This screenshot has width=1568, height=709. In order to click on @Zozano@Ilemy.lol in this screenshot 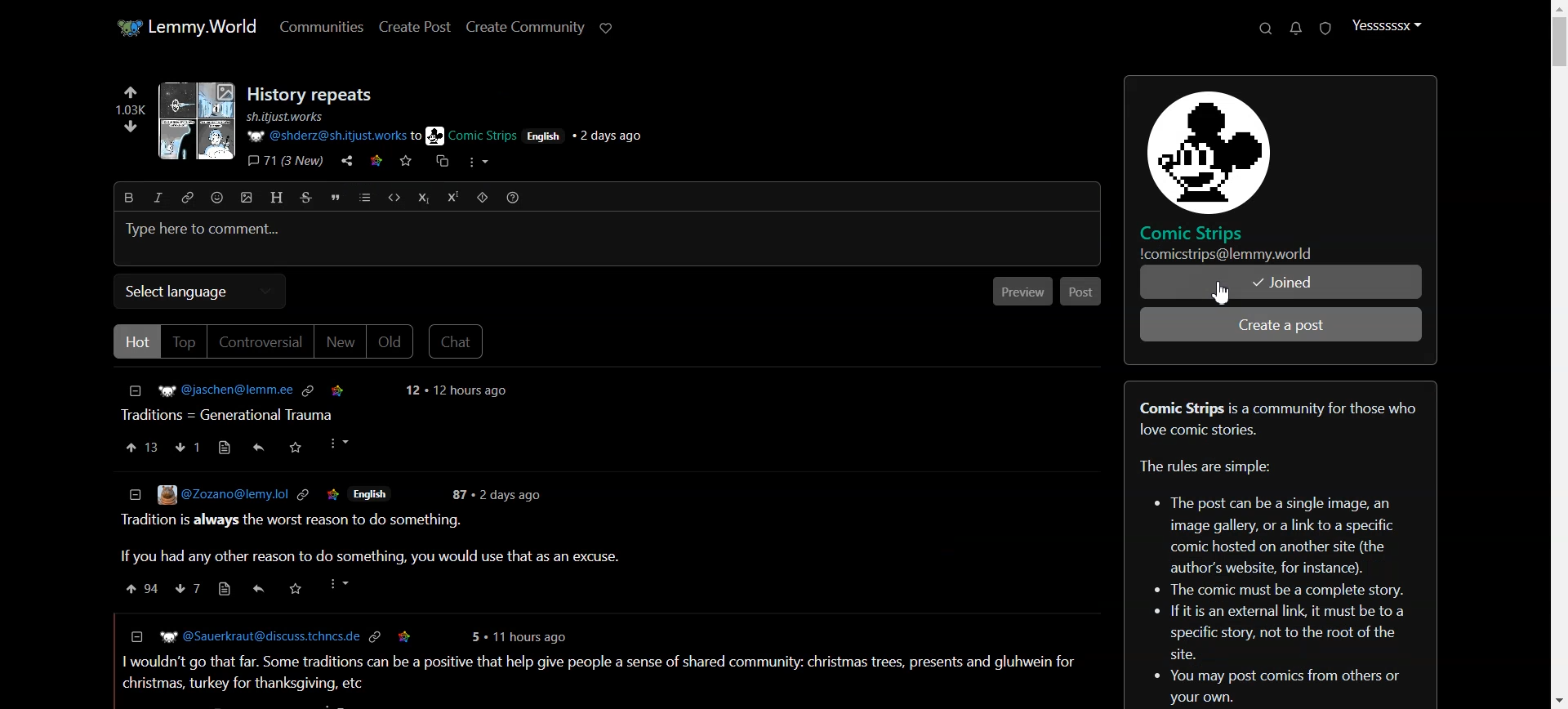, I will do `click(205, 495)`.